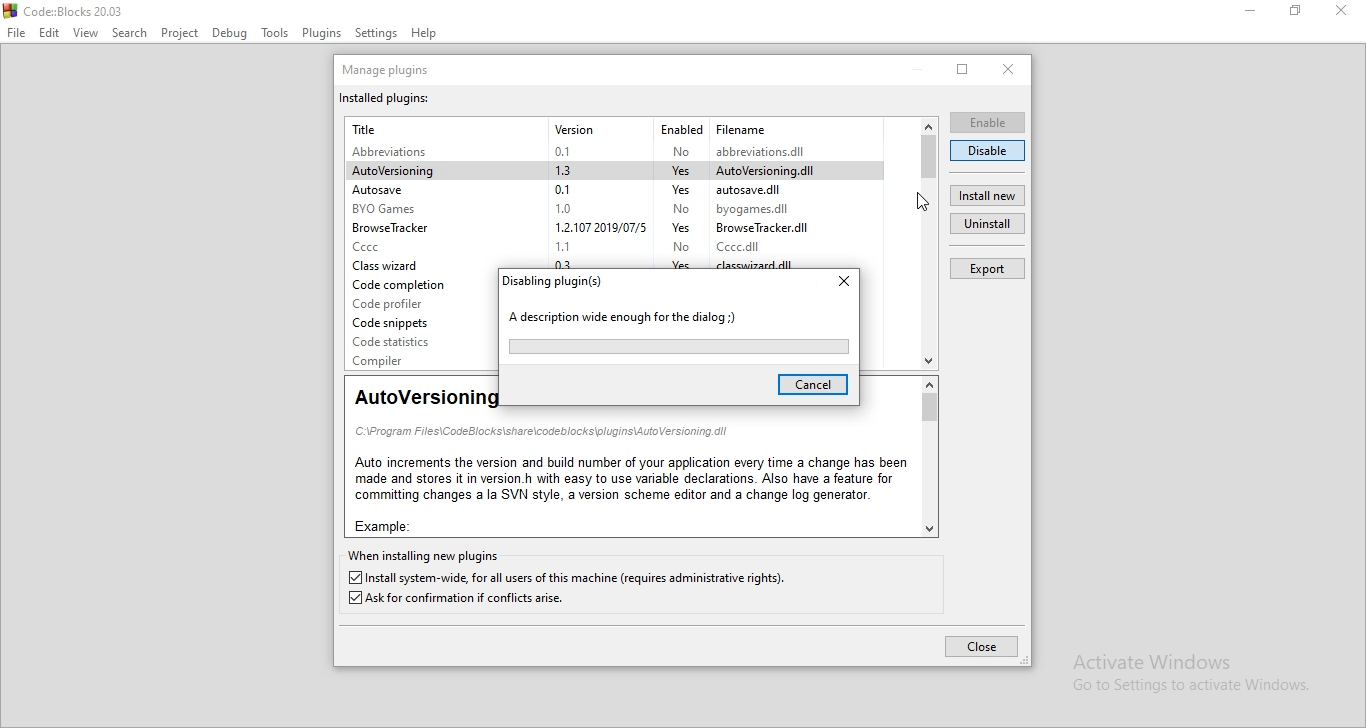  Describe the element at coordinates (987, 151) in the screenshot. I see `disable` at that location.